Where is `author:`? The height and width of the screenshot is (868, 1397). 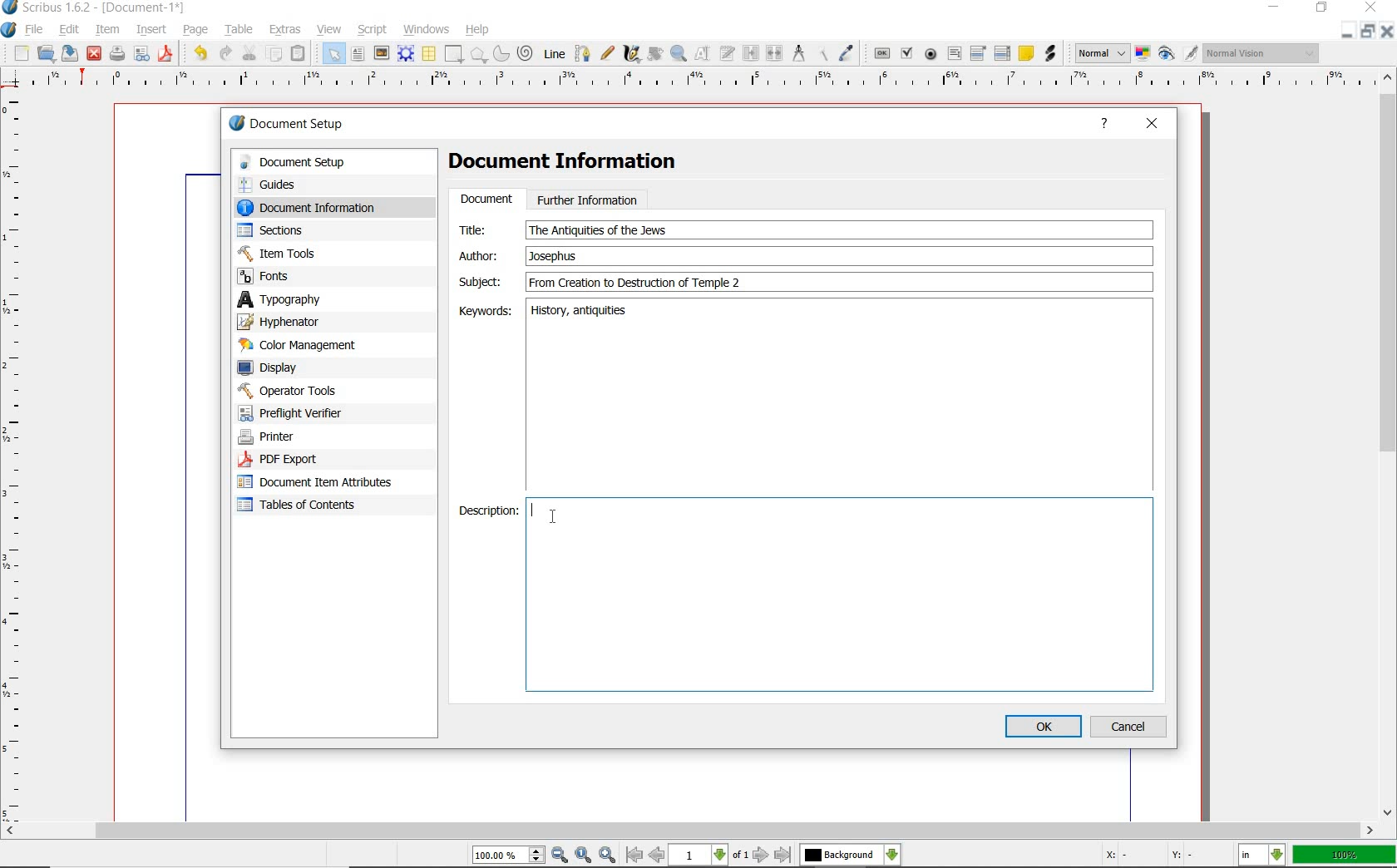 author: is located at coordinates (481, 255).